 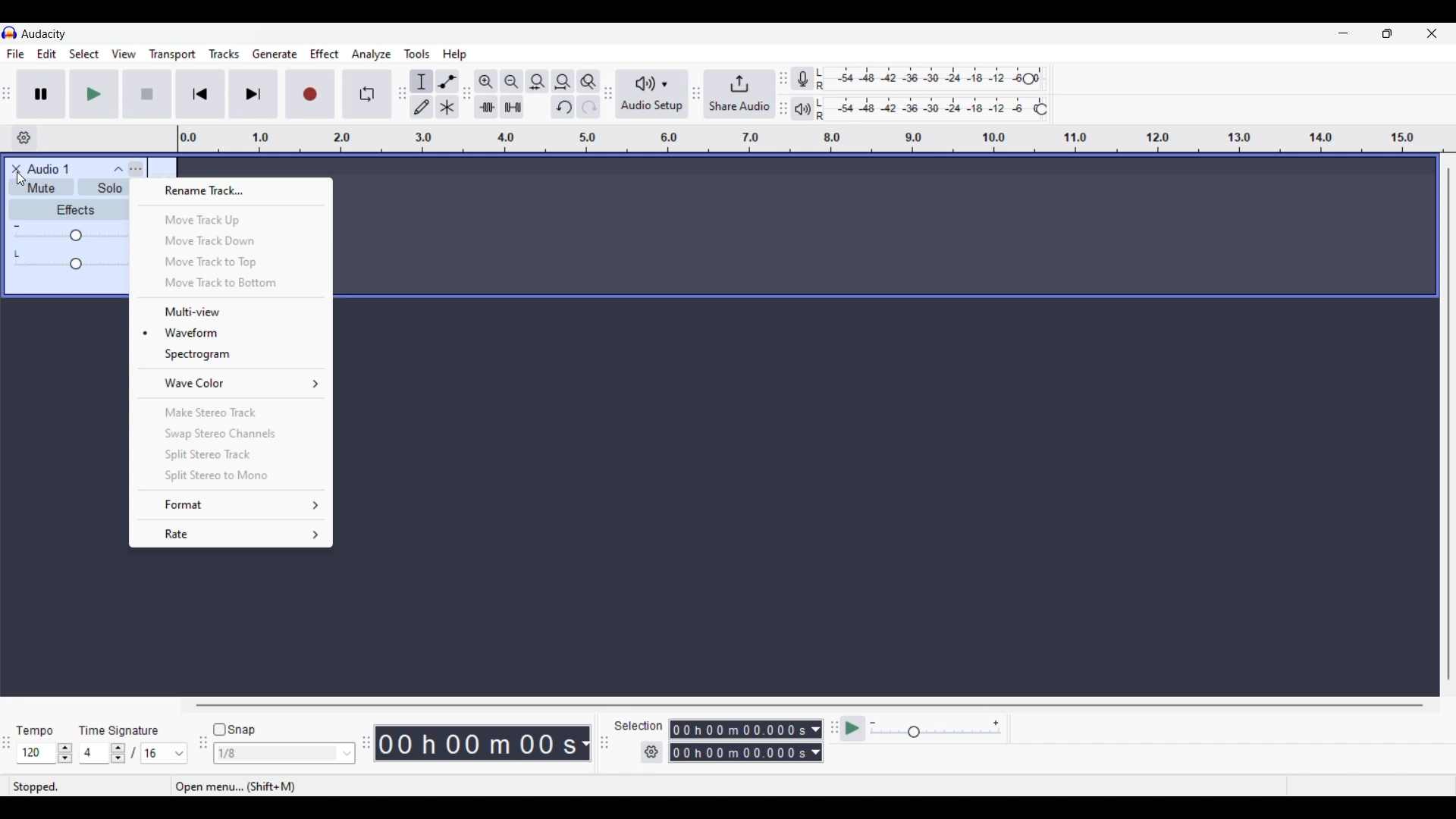 I want to click on Undo, so click(x=563, y=107).